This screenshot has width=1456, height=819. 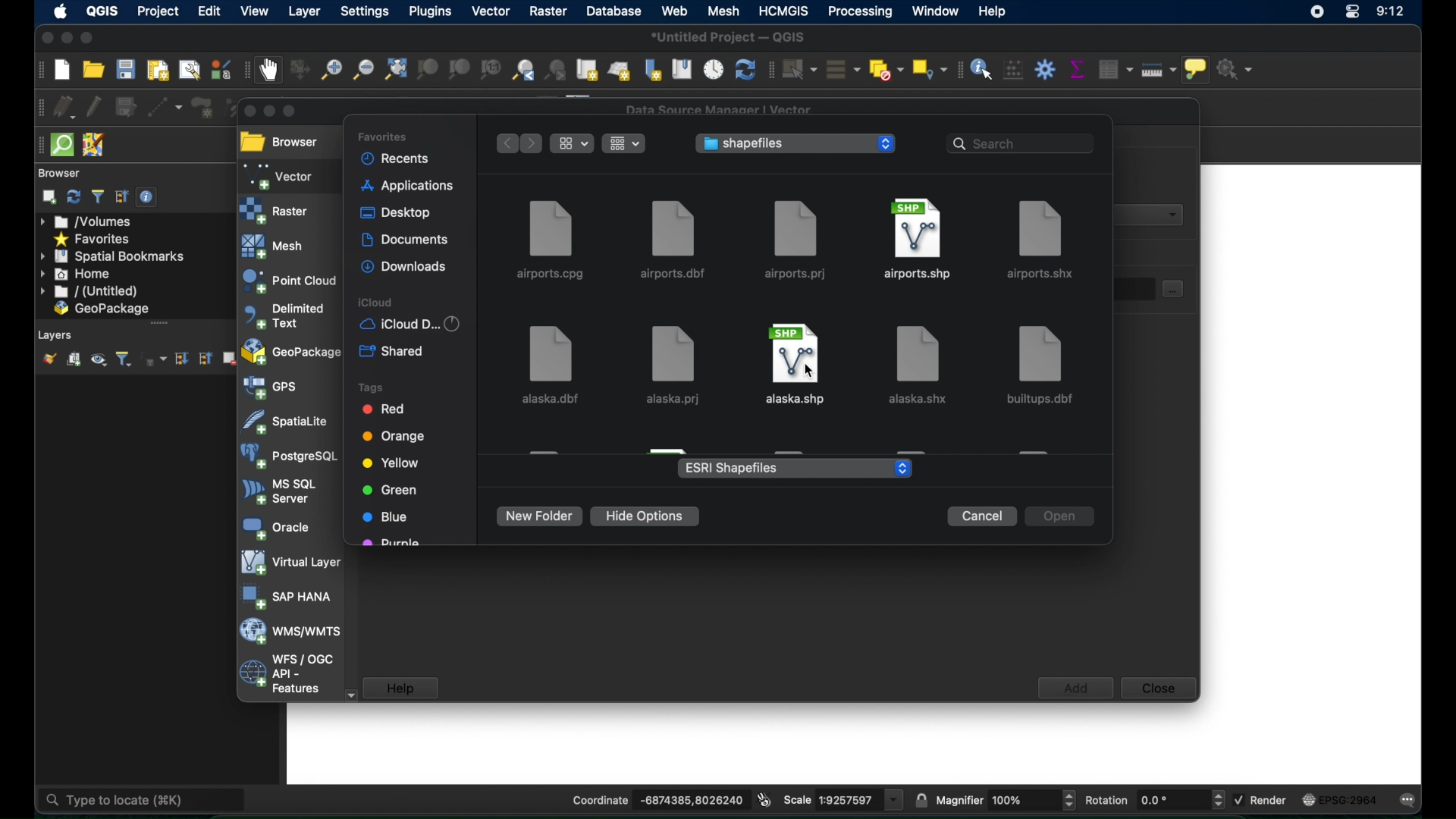 What do you see at coordinates (490, 69) in the screenshot?
I see `zoom to native resolution` at bounding box center [490, 69].